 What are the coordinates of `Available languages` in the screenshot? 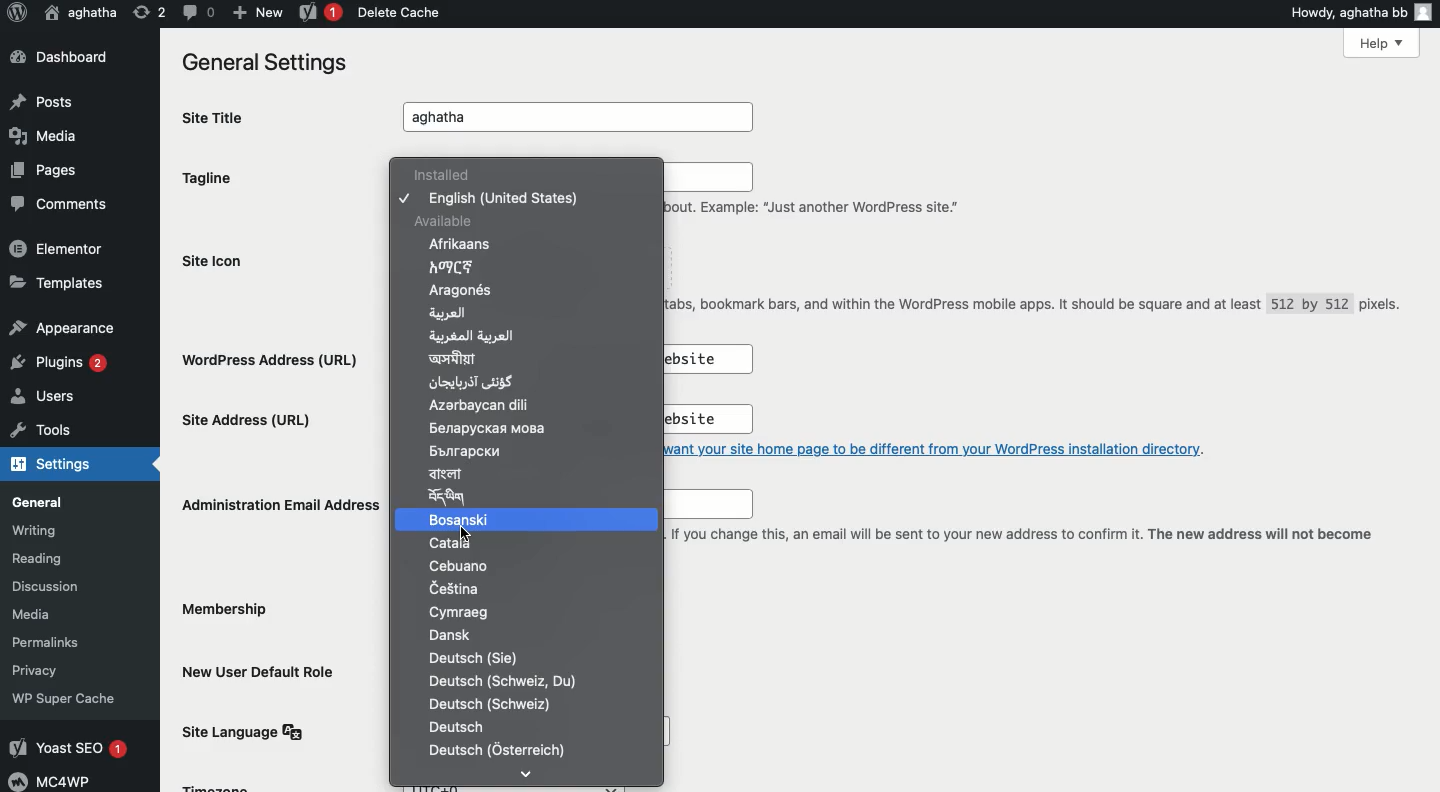 It's located at (503, 520).